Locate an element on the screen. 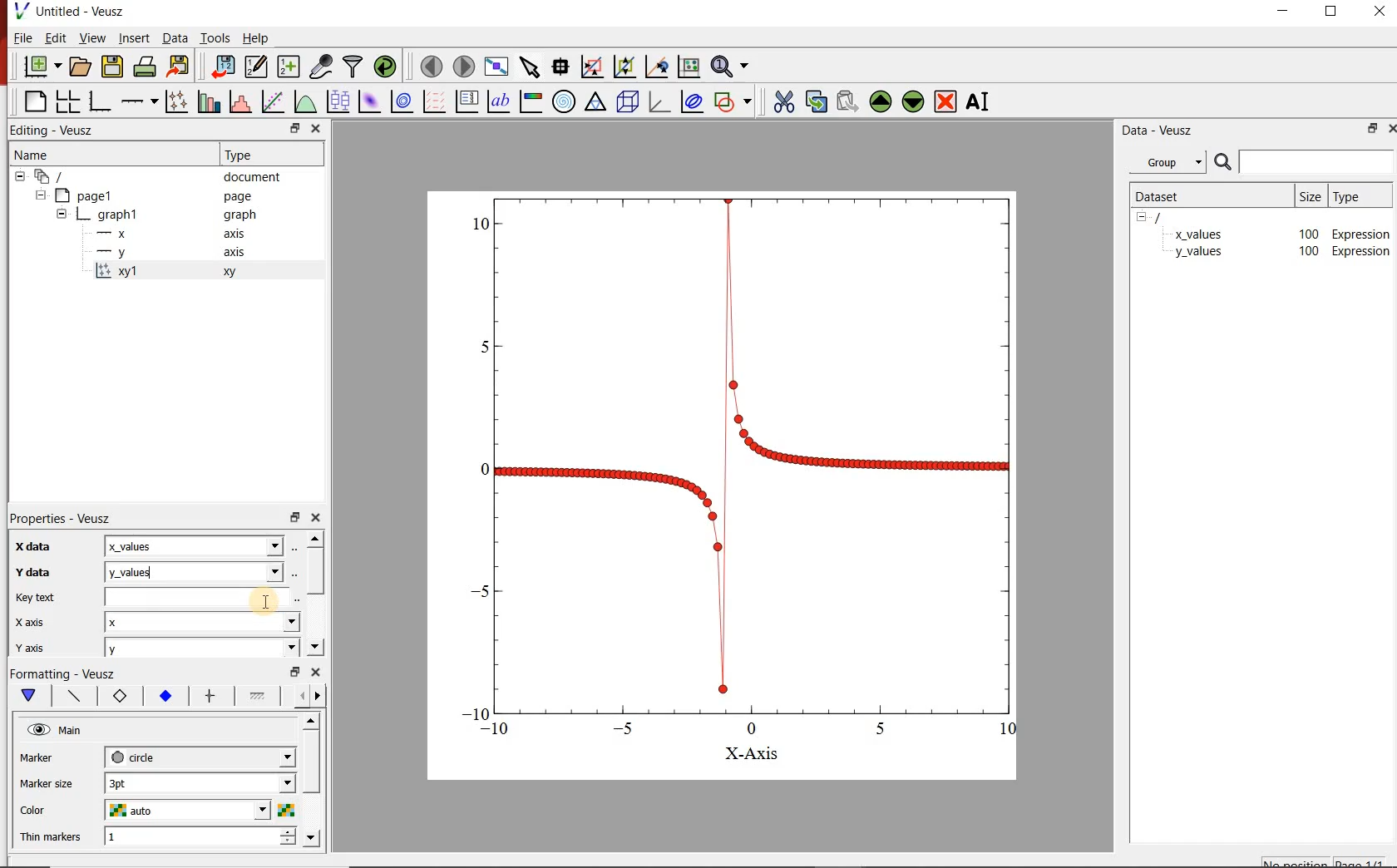 The width and height of the screenshot is (1397, 868). X-Axis is located at coordinates (751, 754).